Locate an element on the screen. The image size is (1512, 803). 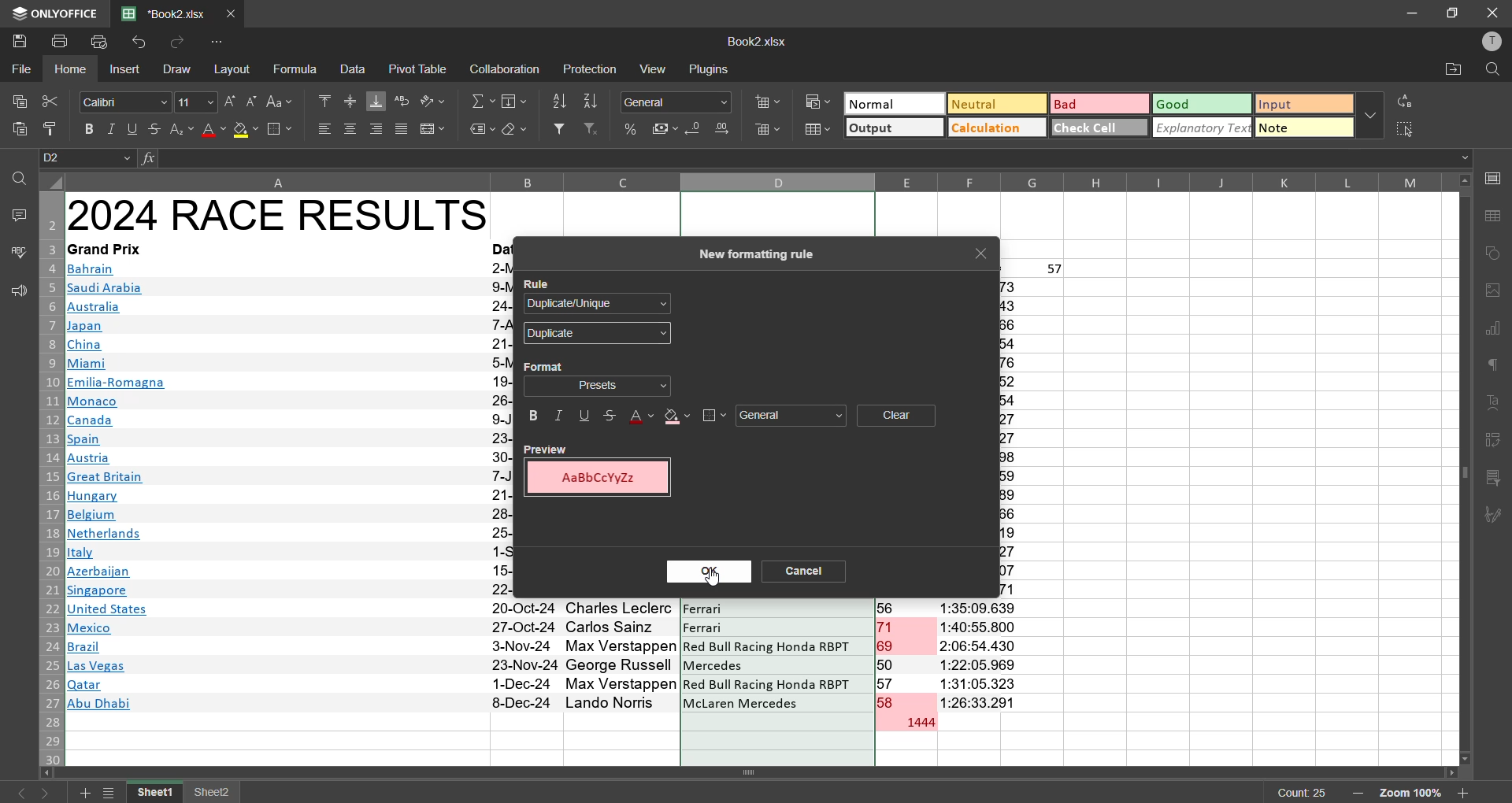
column names is located at coordinates (758, 181).